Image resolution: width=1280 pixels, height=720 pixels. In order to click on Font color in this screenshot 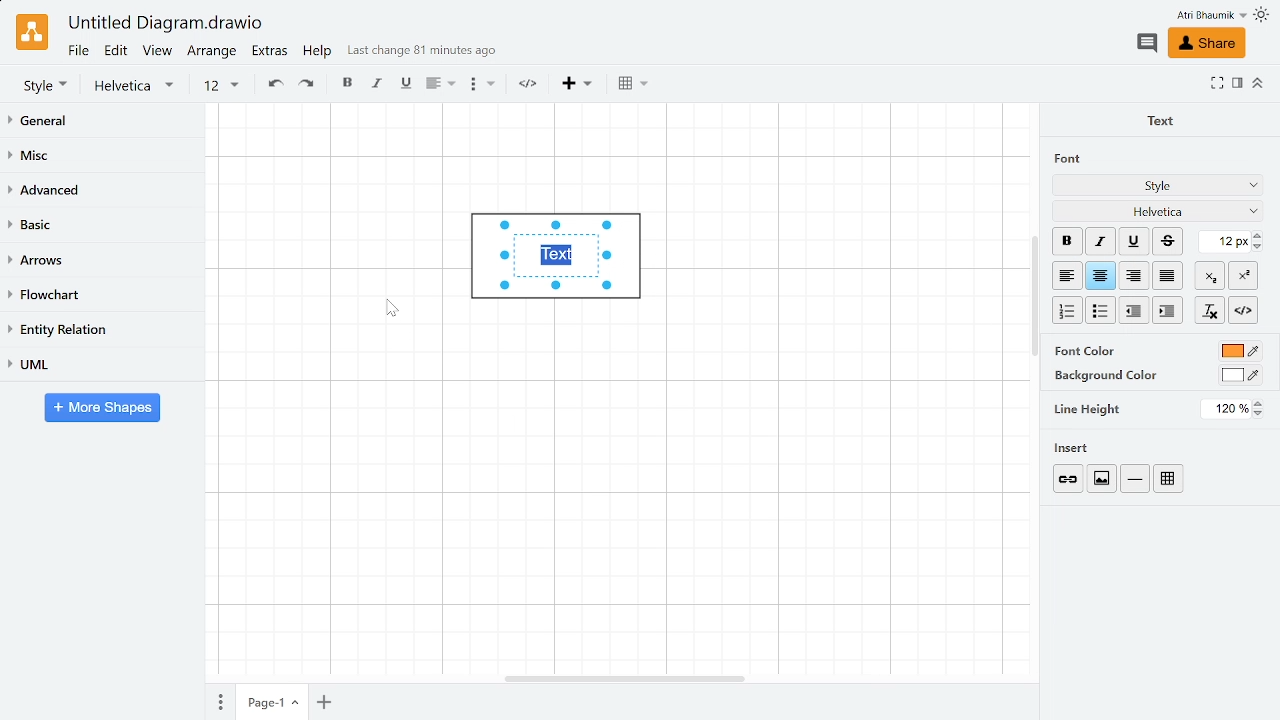, I will do `click(1239, 352)`.